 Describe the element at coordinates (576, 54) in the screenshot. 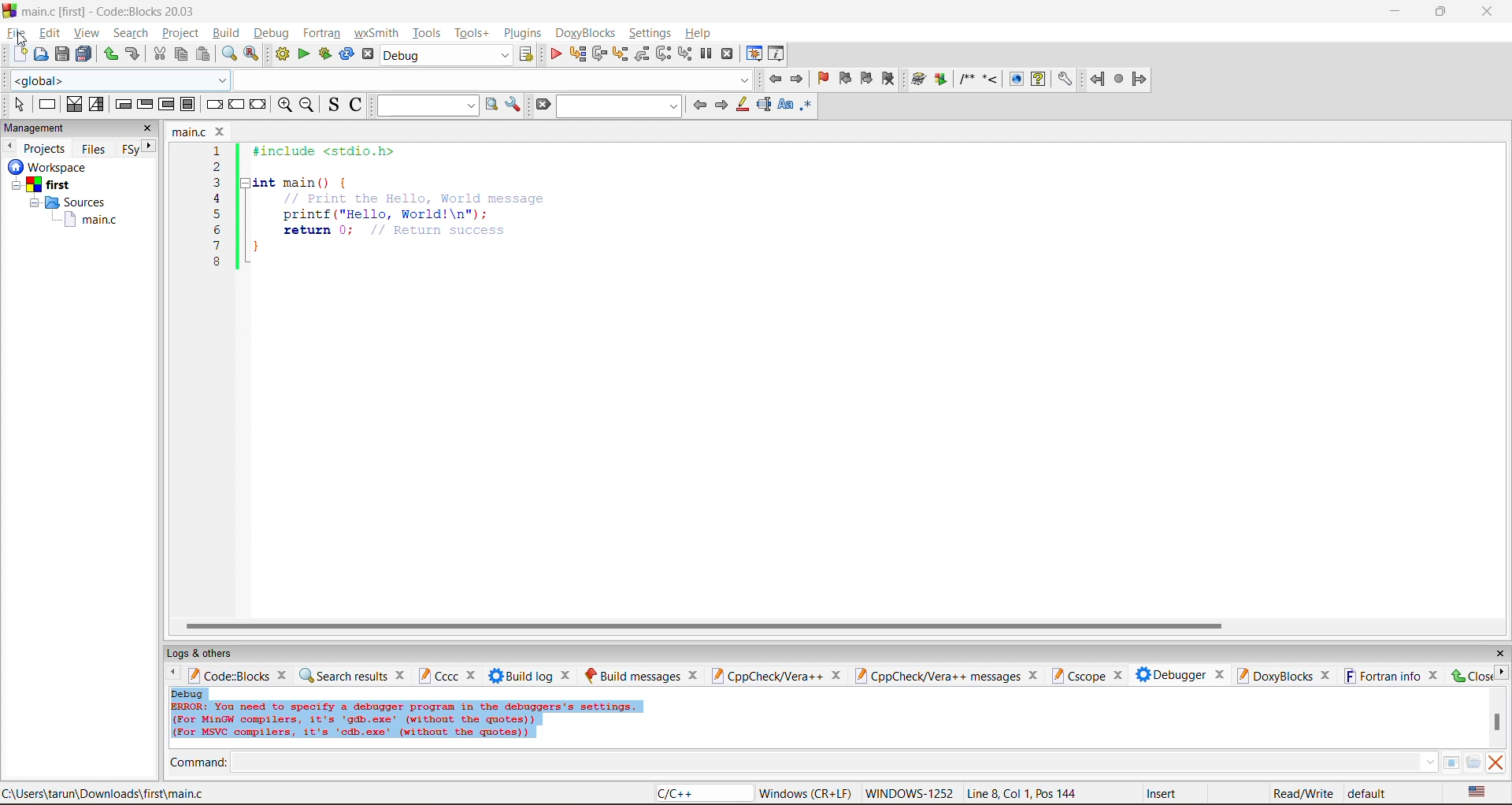

I see `run to cursor` at that location.